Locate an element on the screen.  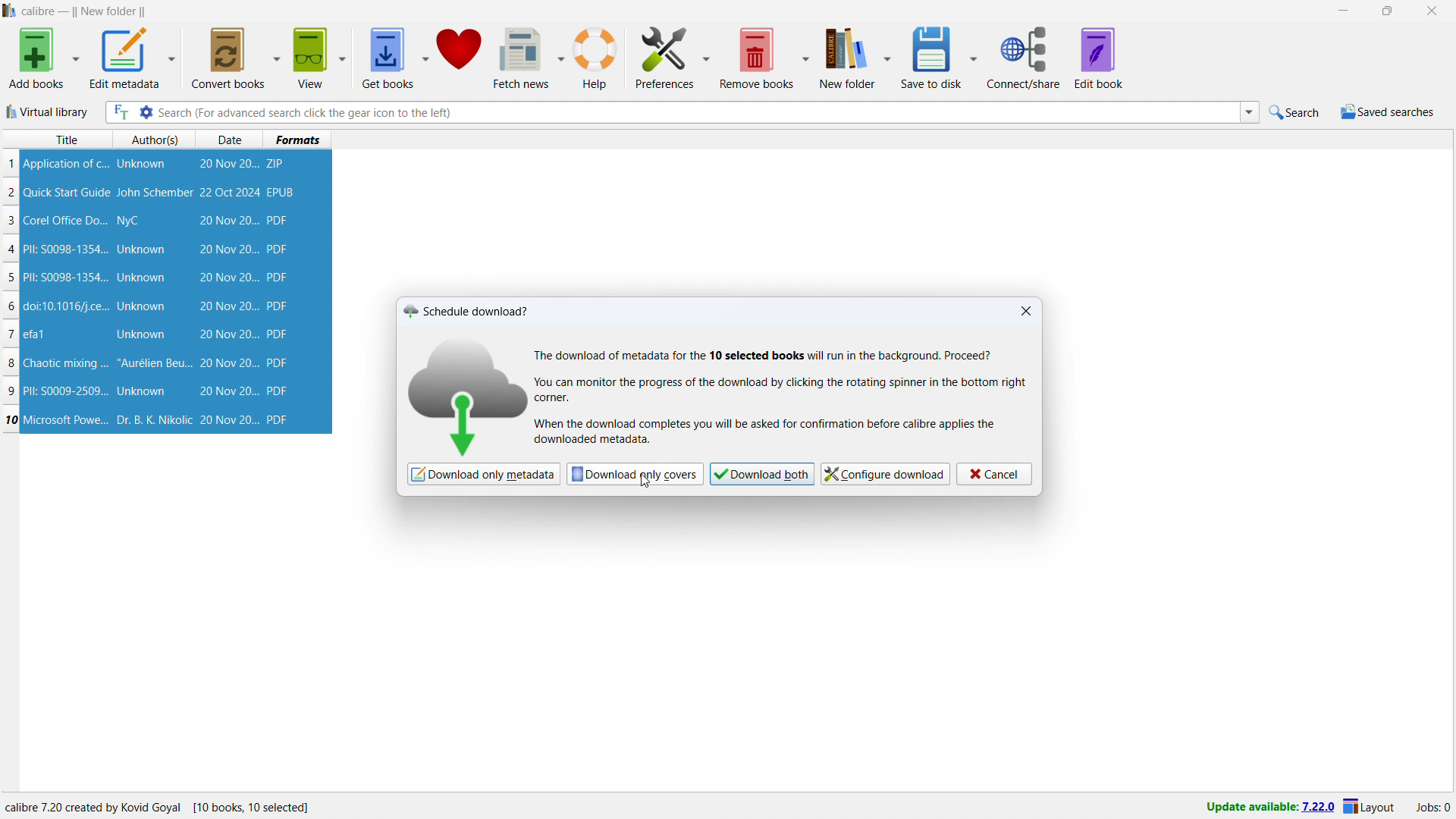
PDF is located at coordinates (280, 391).